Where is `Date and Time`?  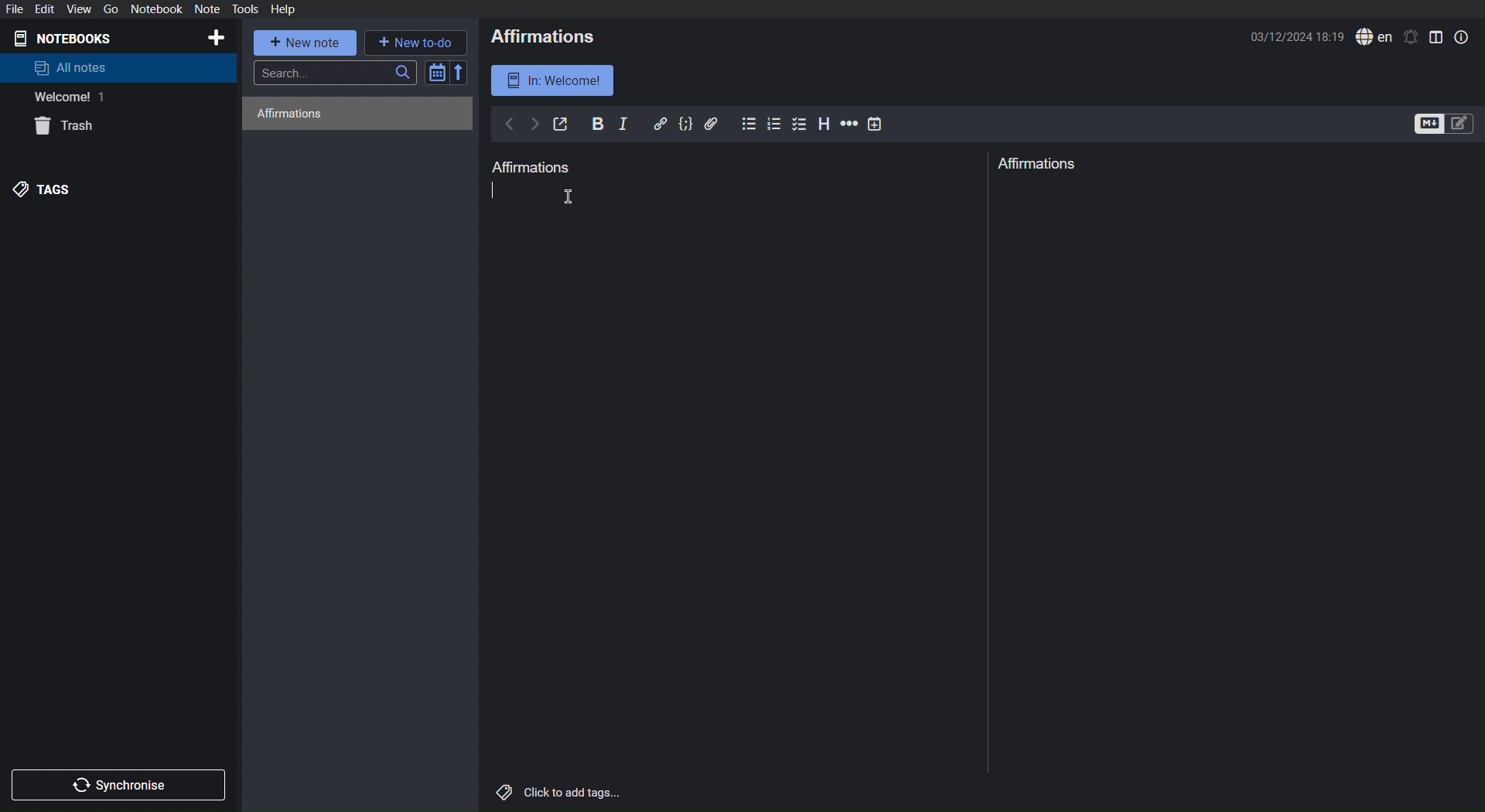 Date and Time is located at coordinates (1299, 36).